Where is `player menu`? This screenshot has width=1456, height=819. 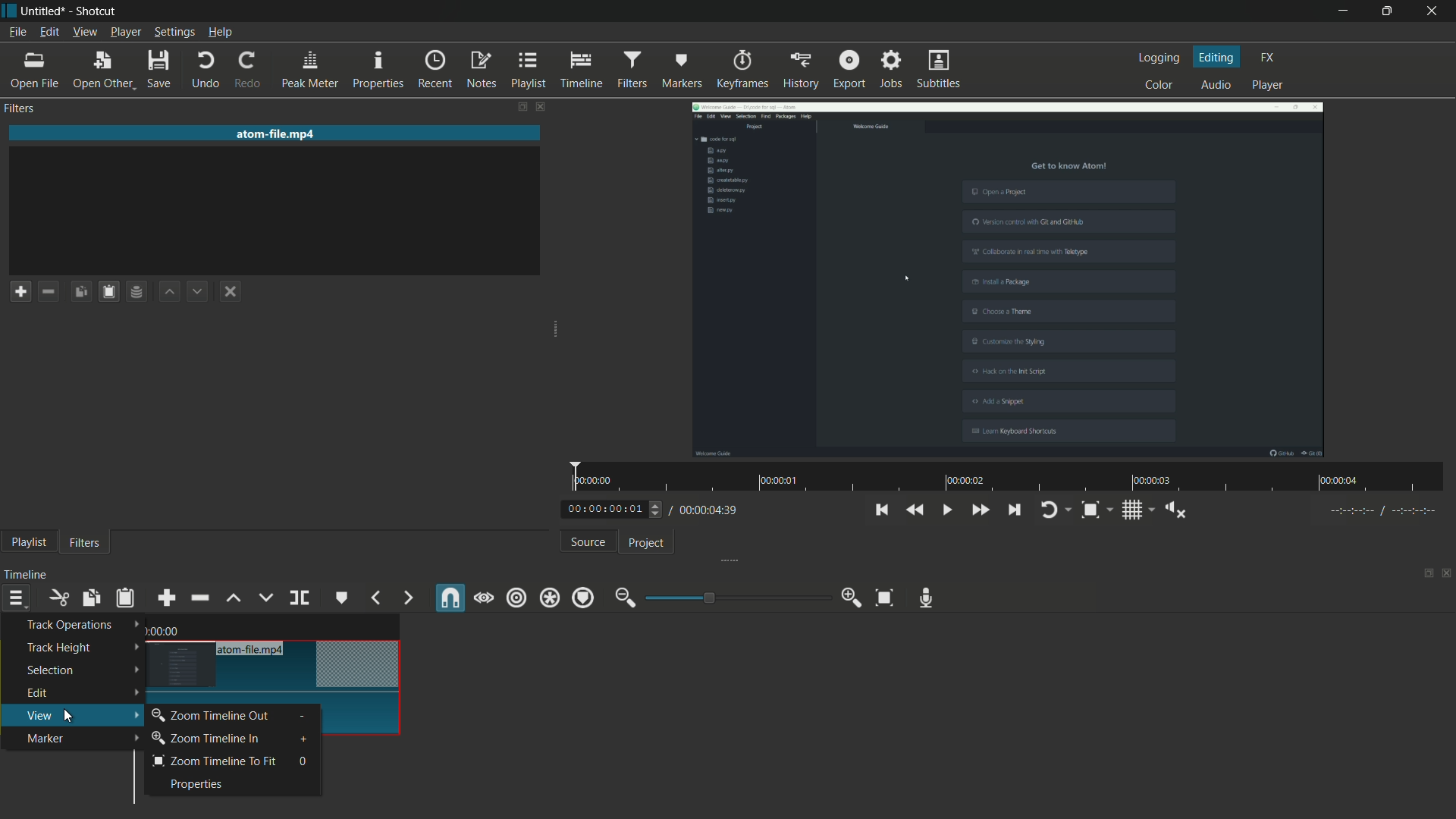 player menu is located at coordinates (126, 33).